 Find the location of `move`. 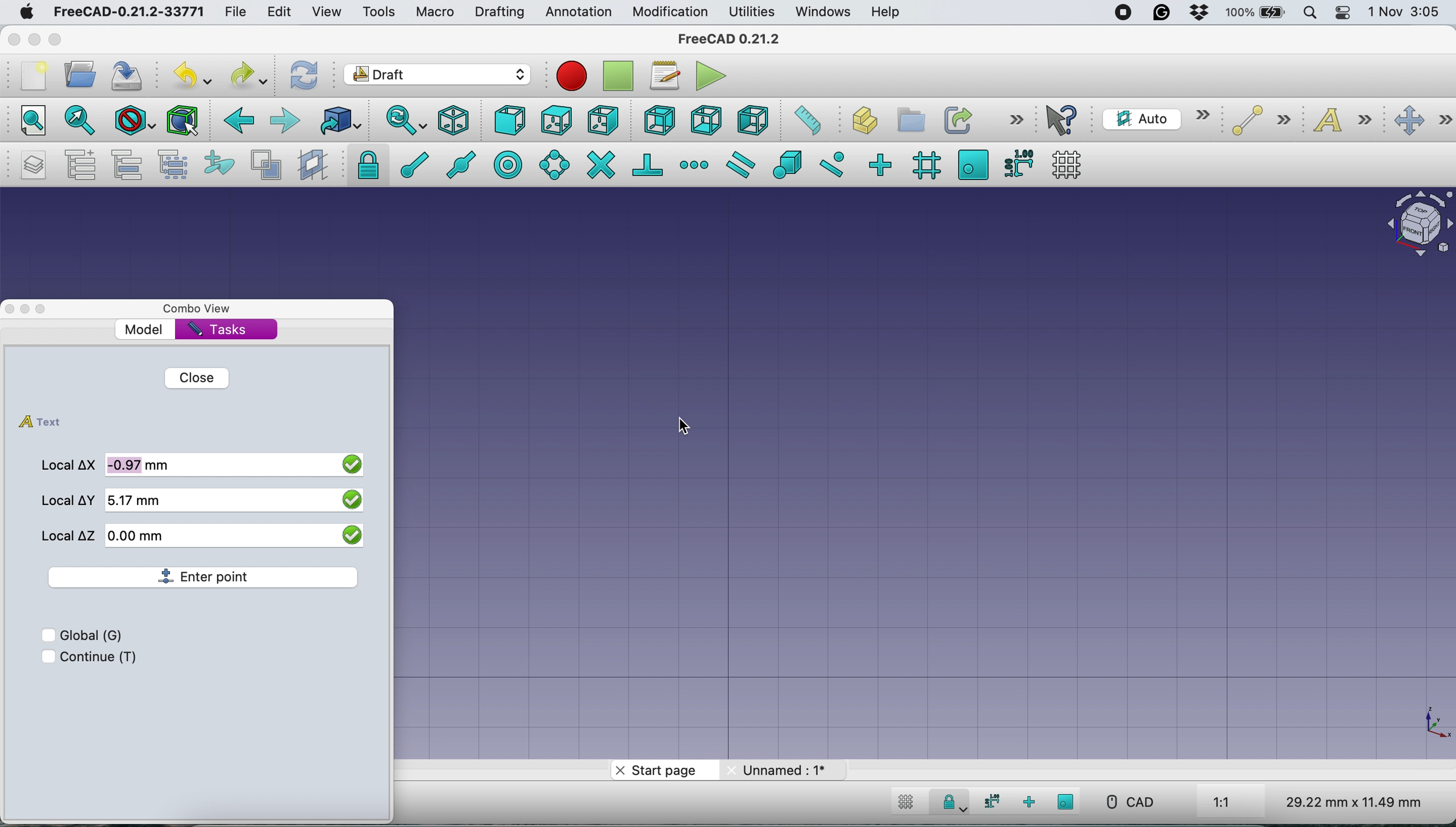

move is located at coordinates (1419, 119).